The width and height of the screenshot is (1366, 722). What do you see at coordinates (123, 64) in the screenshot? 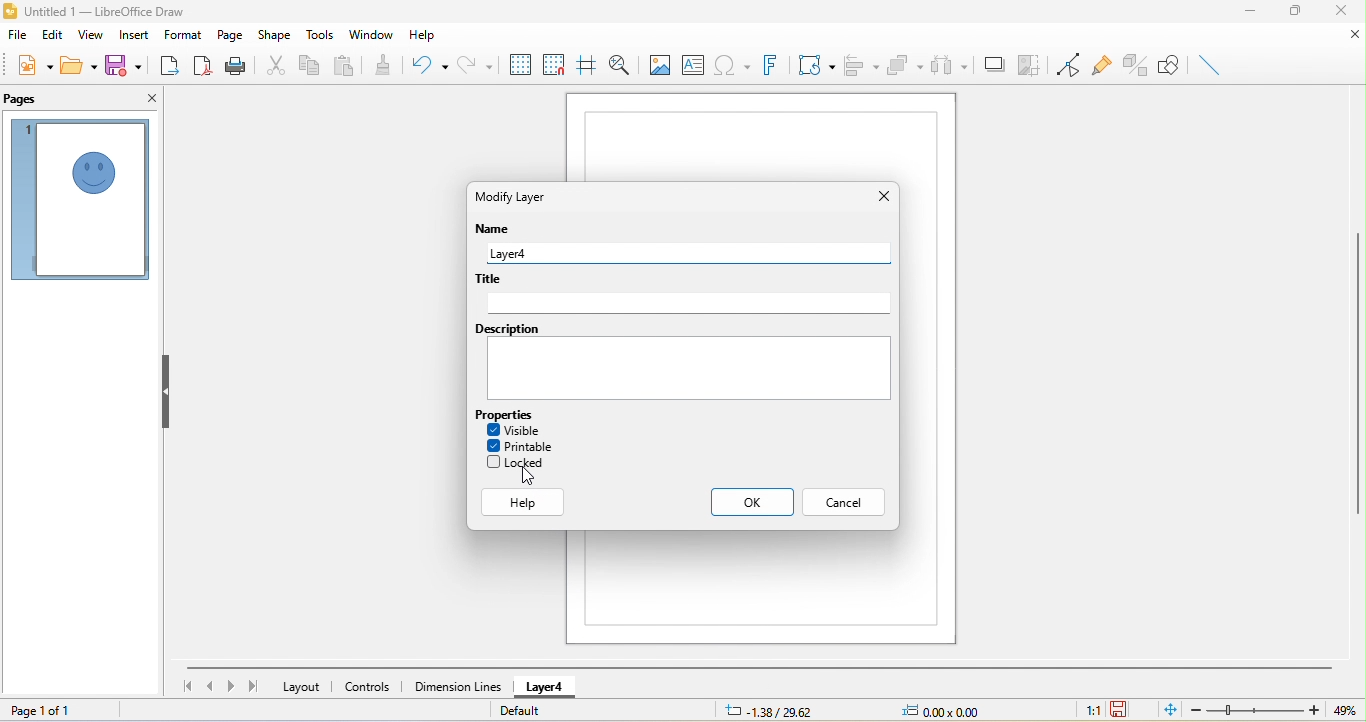
I see `save` at bounding box center [123, 64].